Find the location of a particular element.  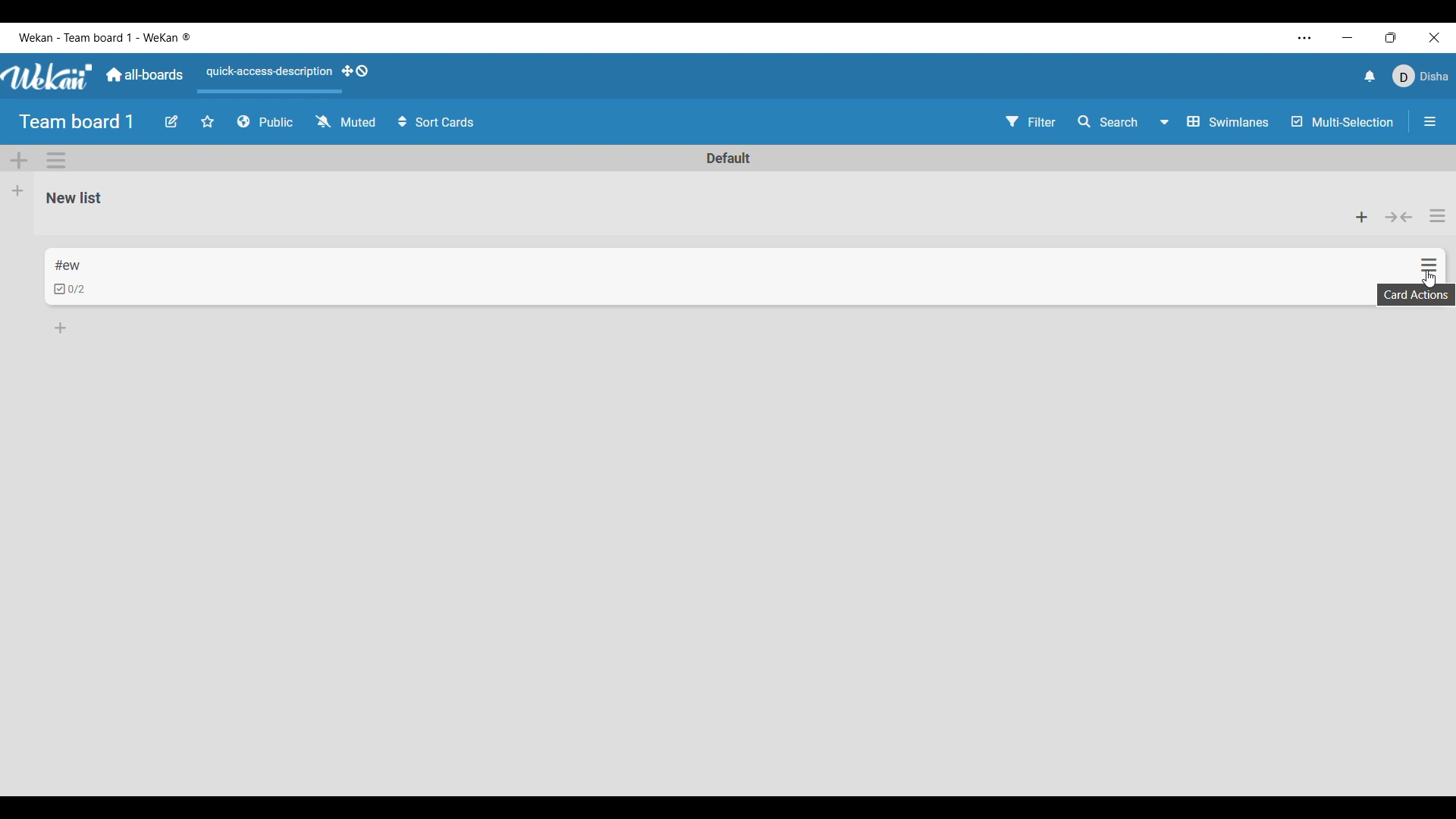

Add card to bottom of list is located at coordinates (61, 328).